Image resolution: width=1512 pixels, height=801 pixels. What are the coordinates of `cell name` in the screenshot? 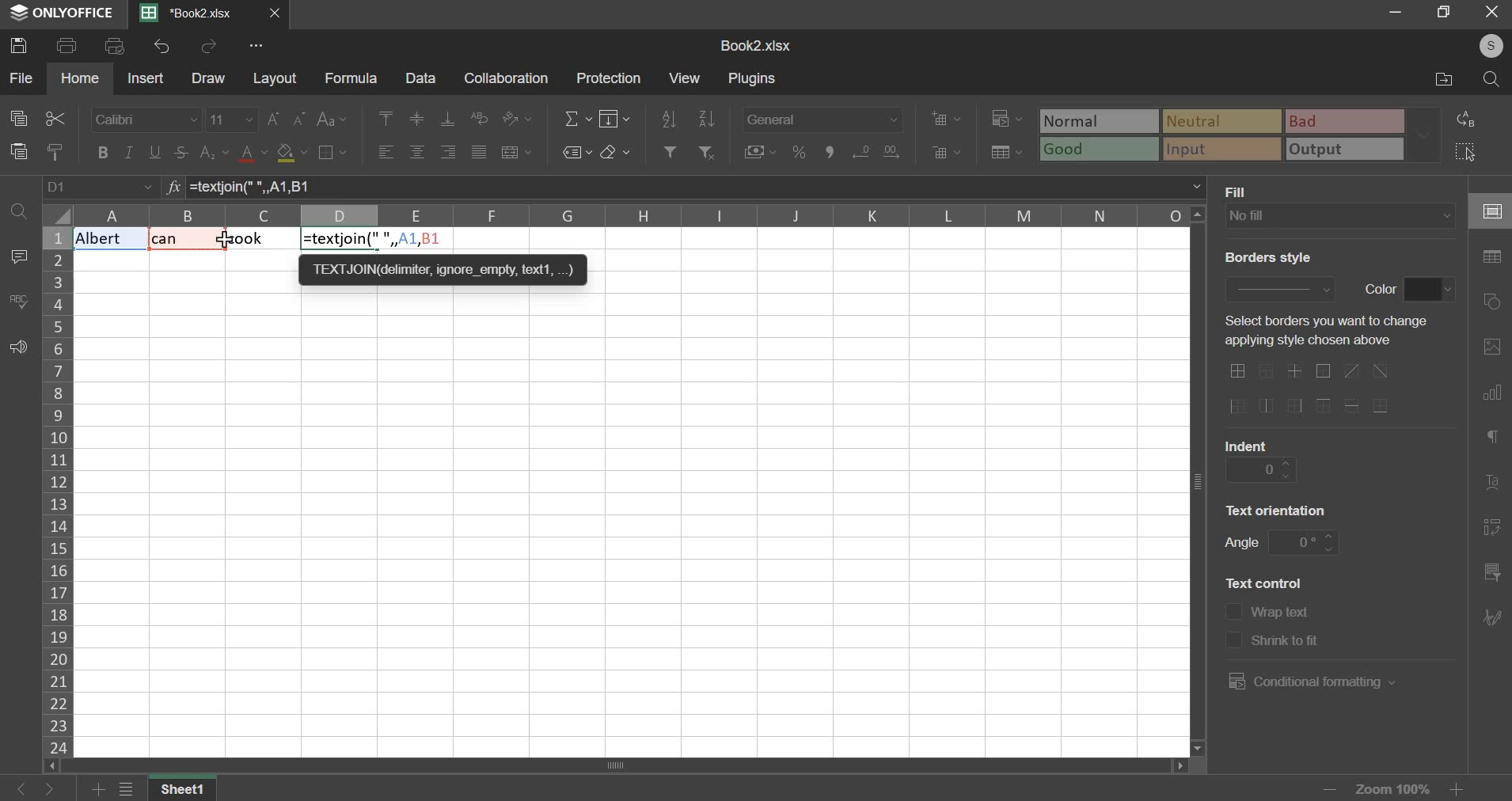 It's located at (101, 188).